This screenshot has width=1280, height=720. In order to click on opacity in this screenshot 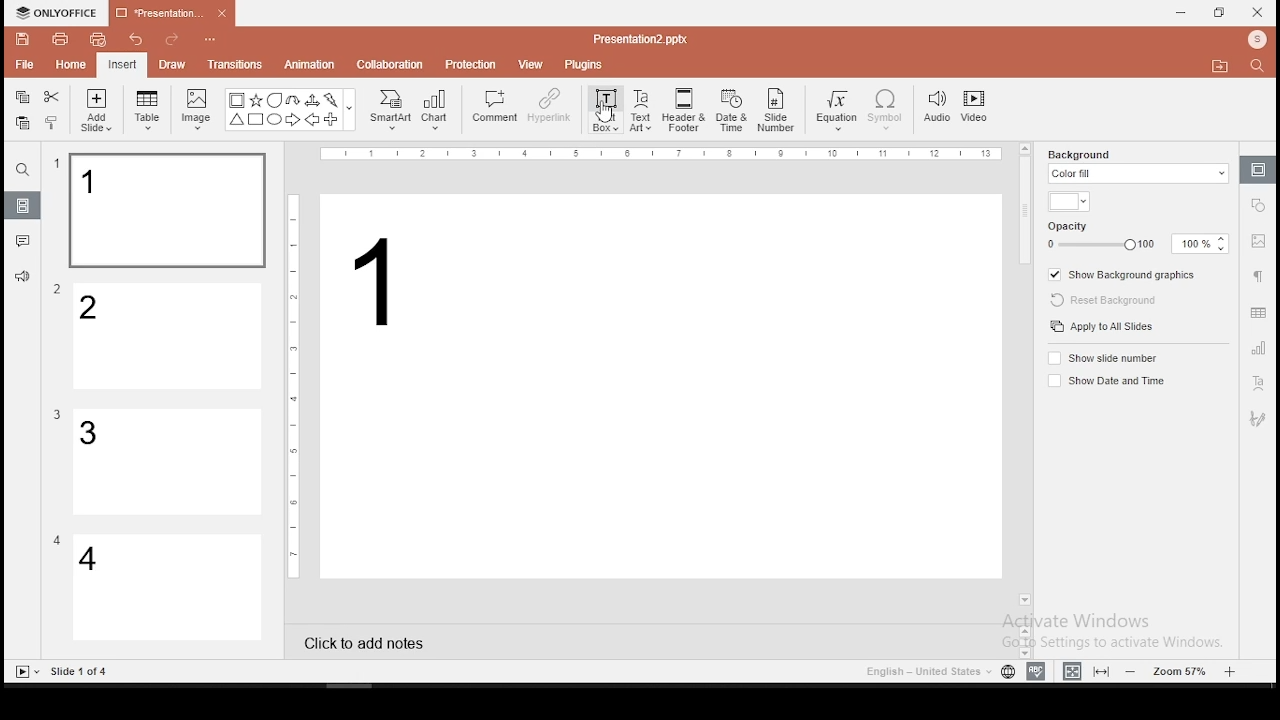, I will do `click(1138, 237)`.